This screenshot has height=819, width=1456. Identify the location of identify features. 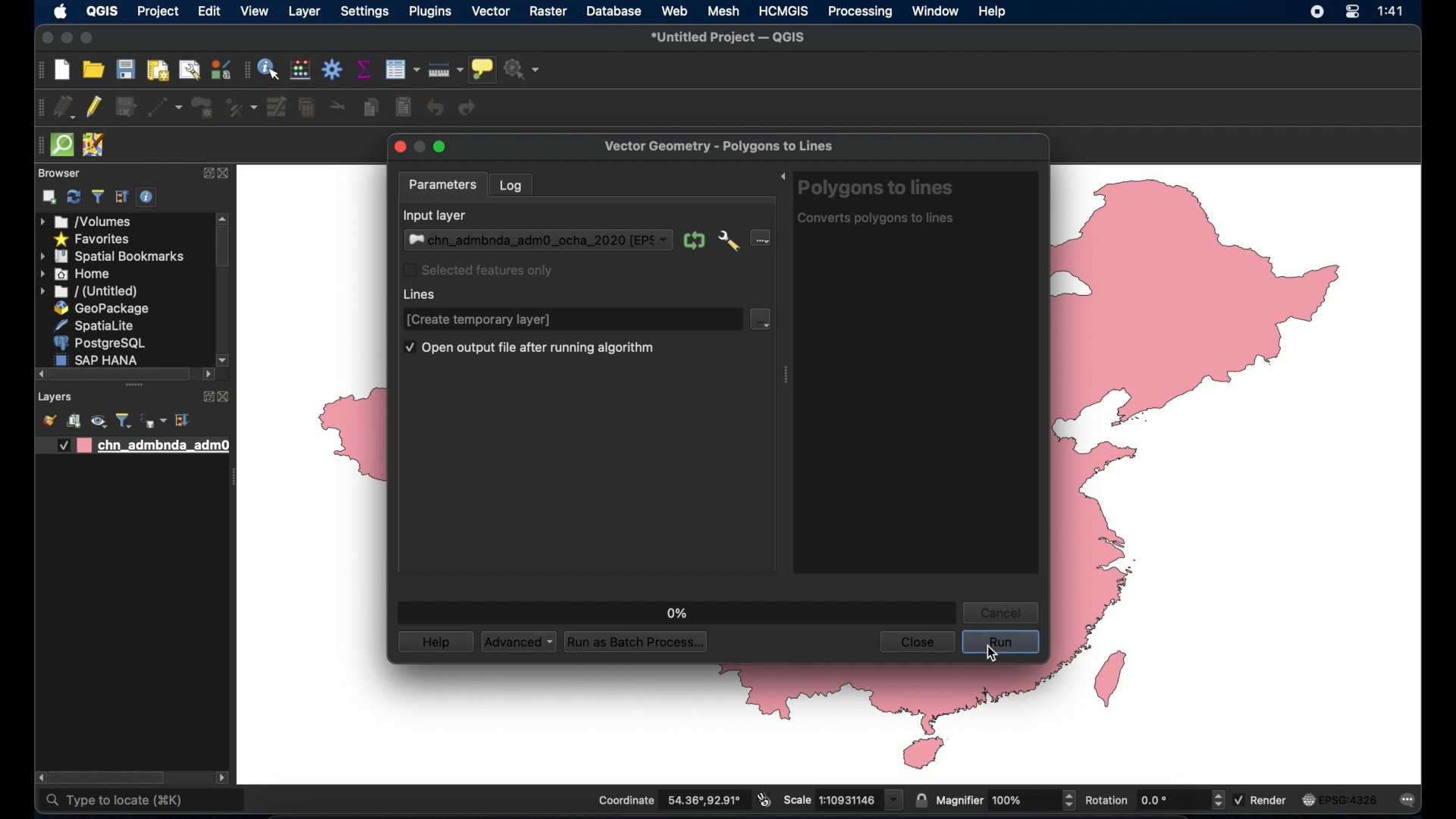
(269, 69).